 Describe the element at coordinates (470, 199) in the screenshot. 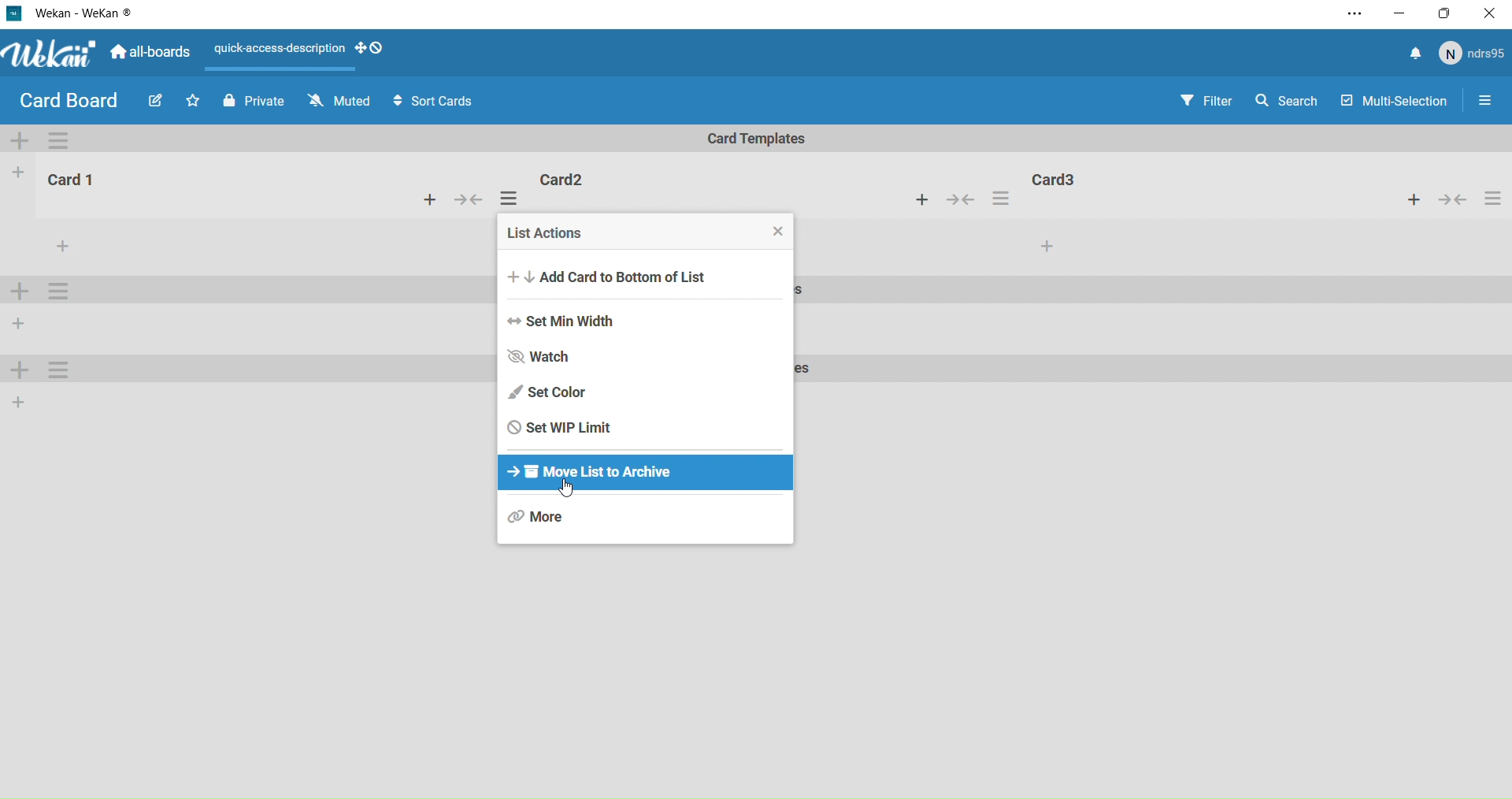

I see `collapse` at that location.